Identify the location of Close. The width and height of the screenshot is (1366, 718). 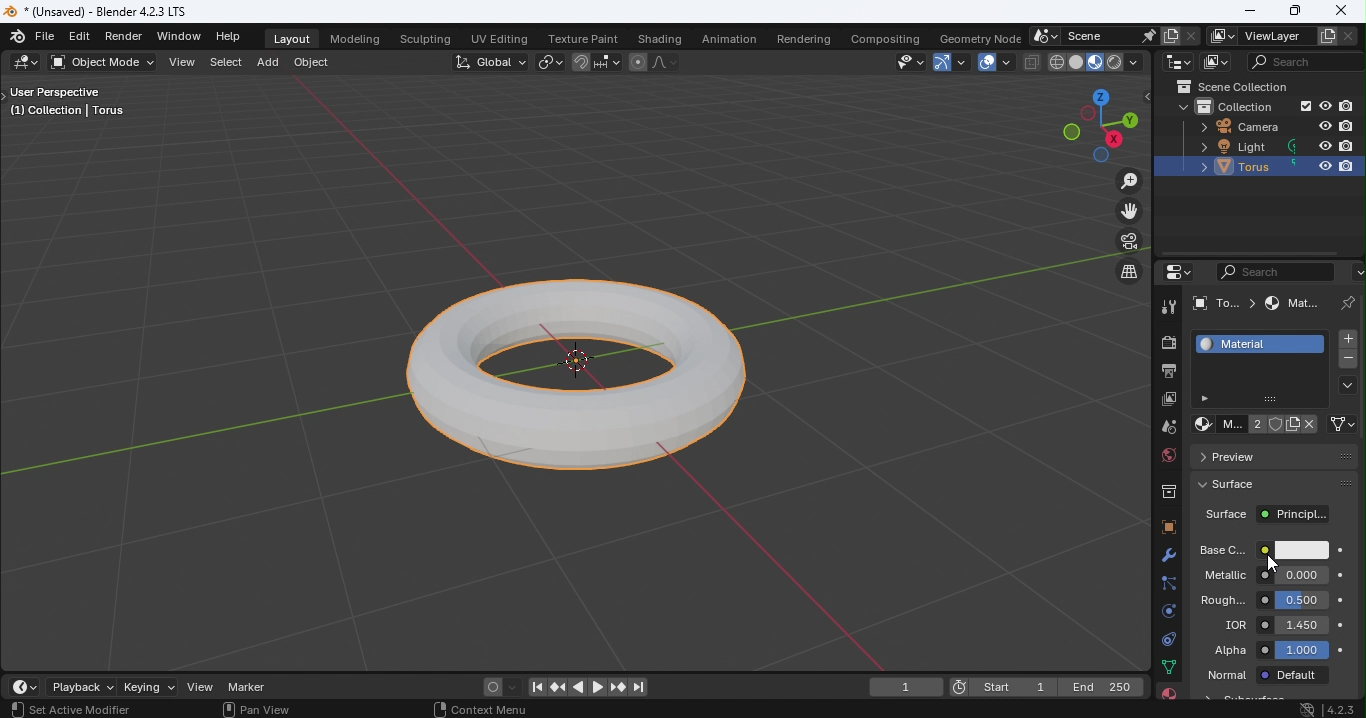
(1341, 12).